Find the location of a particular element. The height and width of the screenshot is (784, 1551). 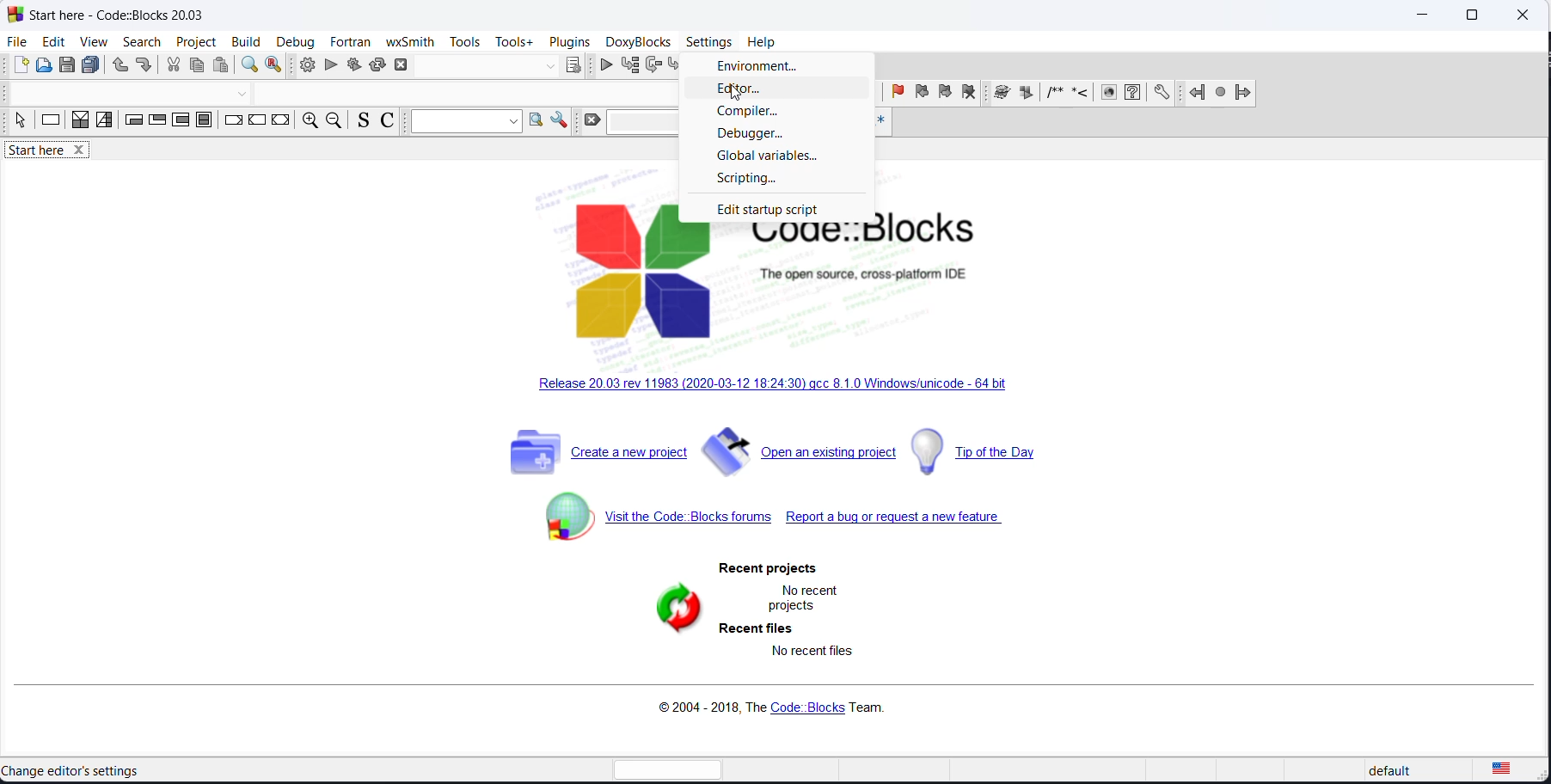

undo is located at coordinates (119, 66).